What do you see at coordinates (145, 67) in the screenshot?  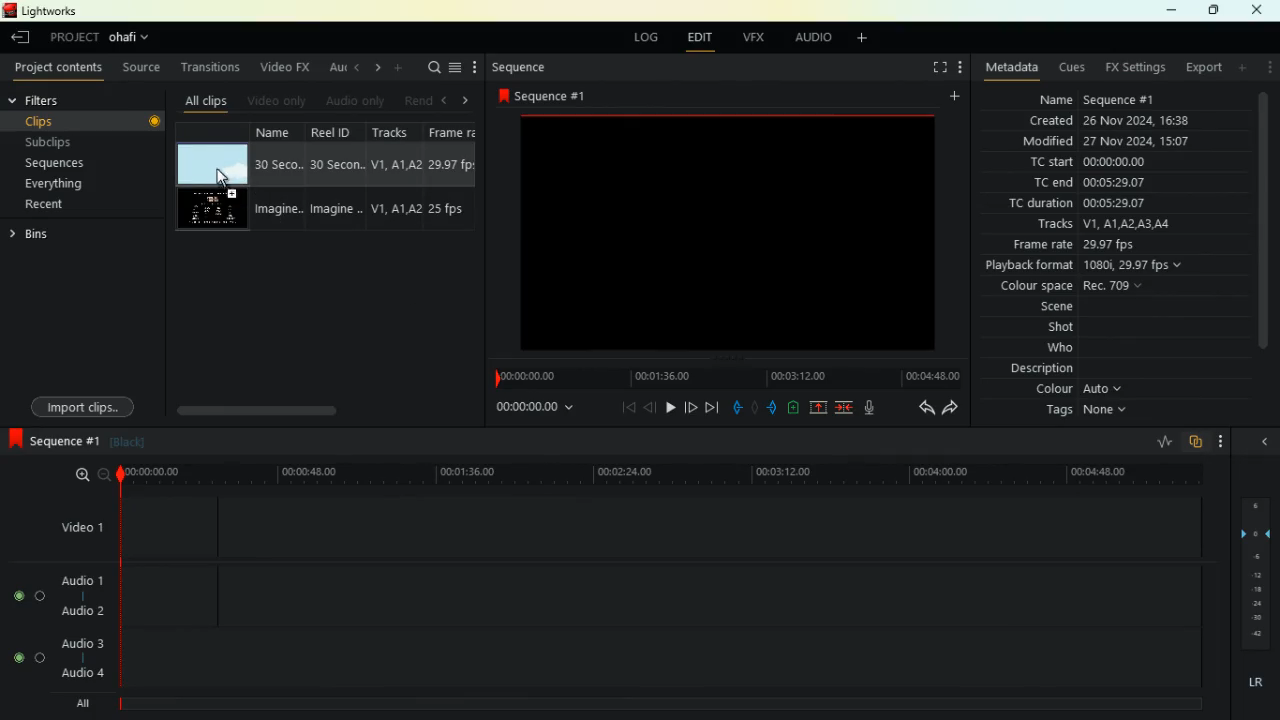 I see `source` at bounding box center [145, 67].